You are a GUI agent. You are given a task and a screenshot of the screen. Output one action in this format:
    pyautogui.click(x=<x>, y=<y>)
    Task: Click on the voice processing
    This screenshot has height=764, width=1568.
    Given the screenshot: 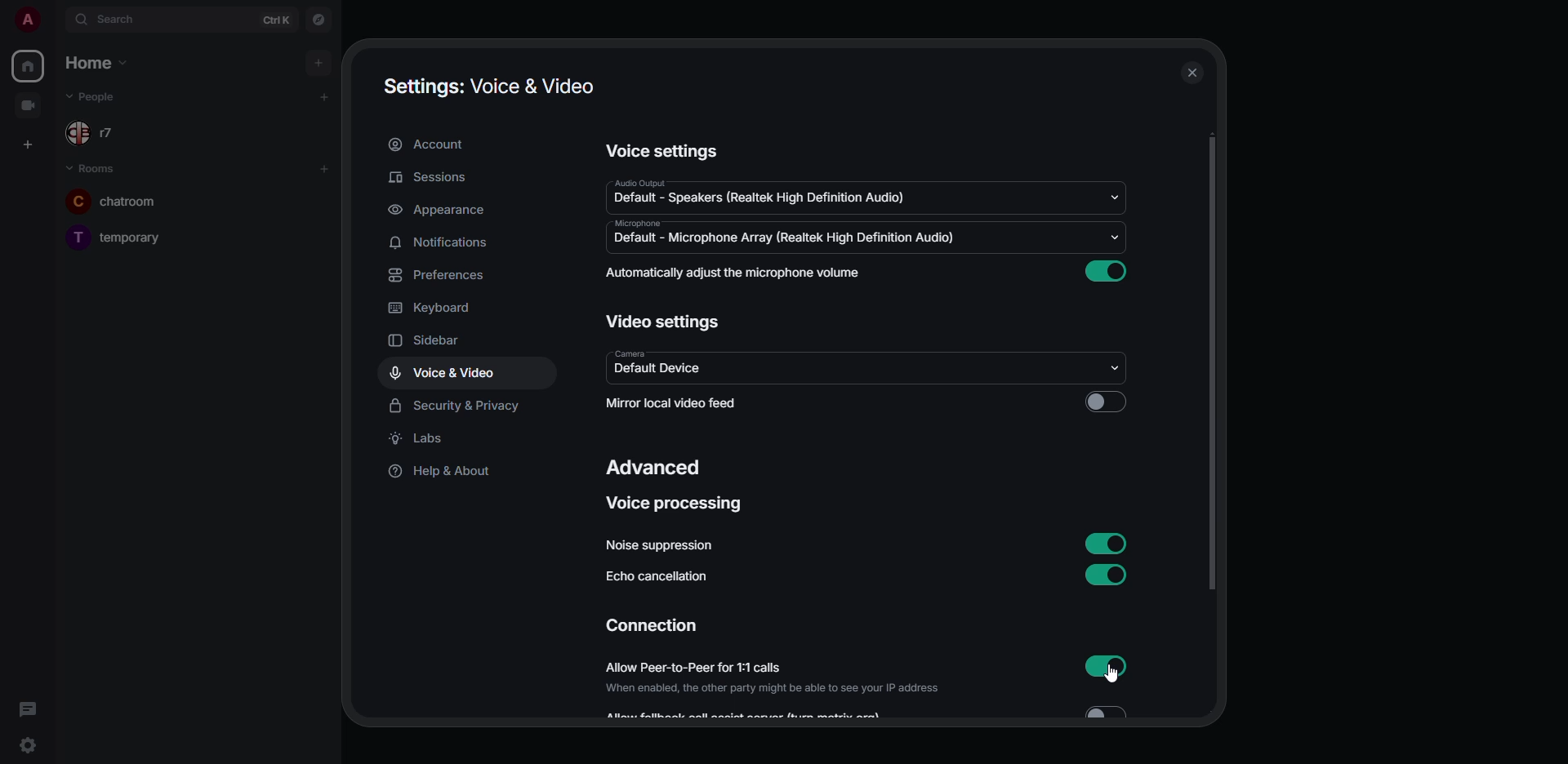 What is the action you would take?
    pyautogui.click(x=677, y=508)
    